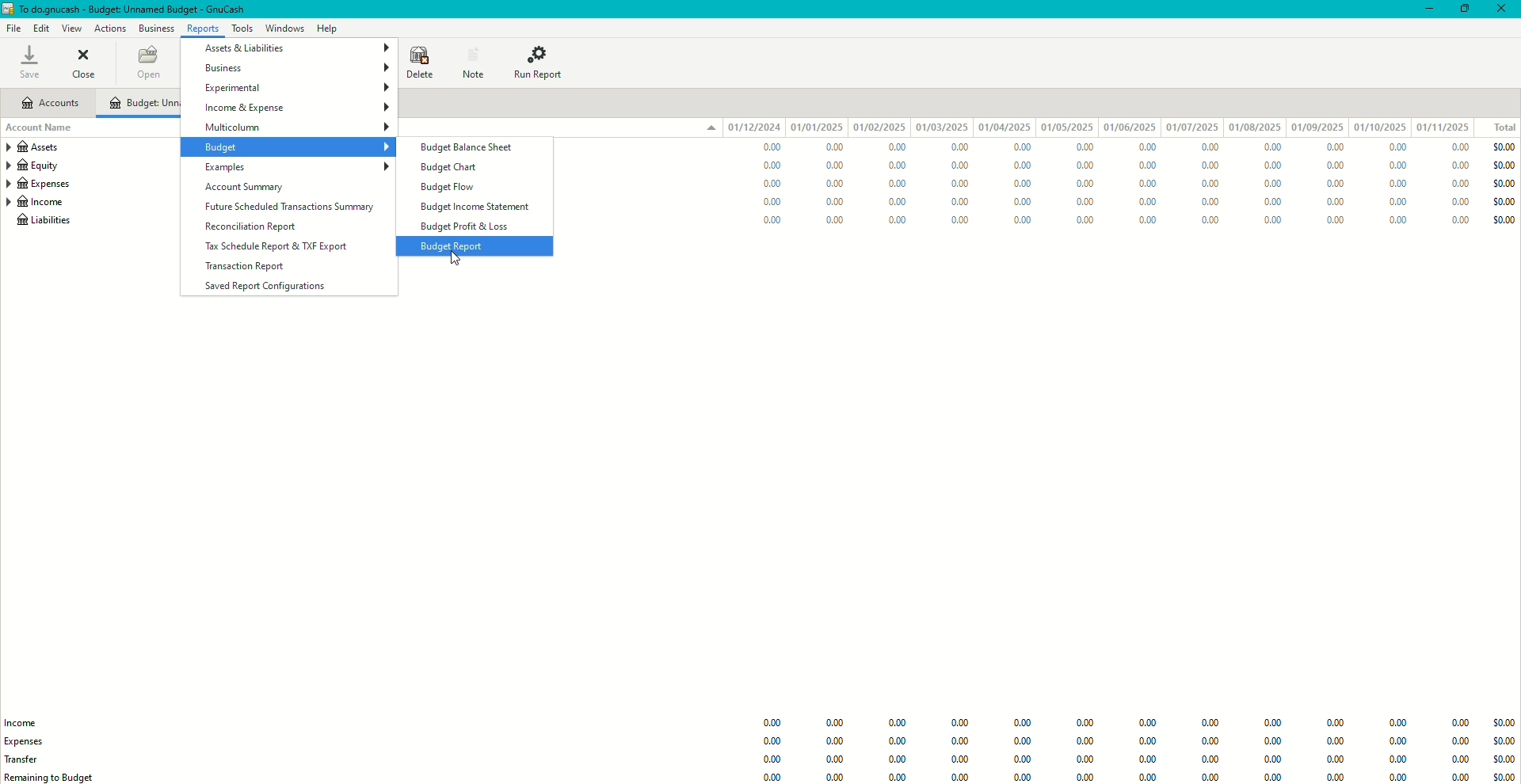 The height and width of the screenshot is (784, 1521). Describe the element at coordinates (1502, 723) in the screenshot. I see `$0.00` at that location.